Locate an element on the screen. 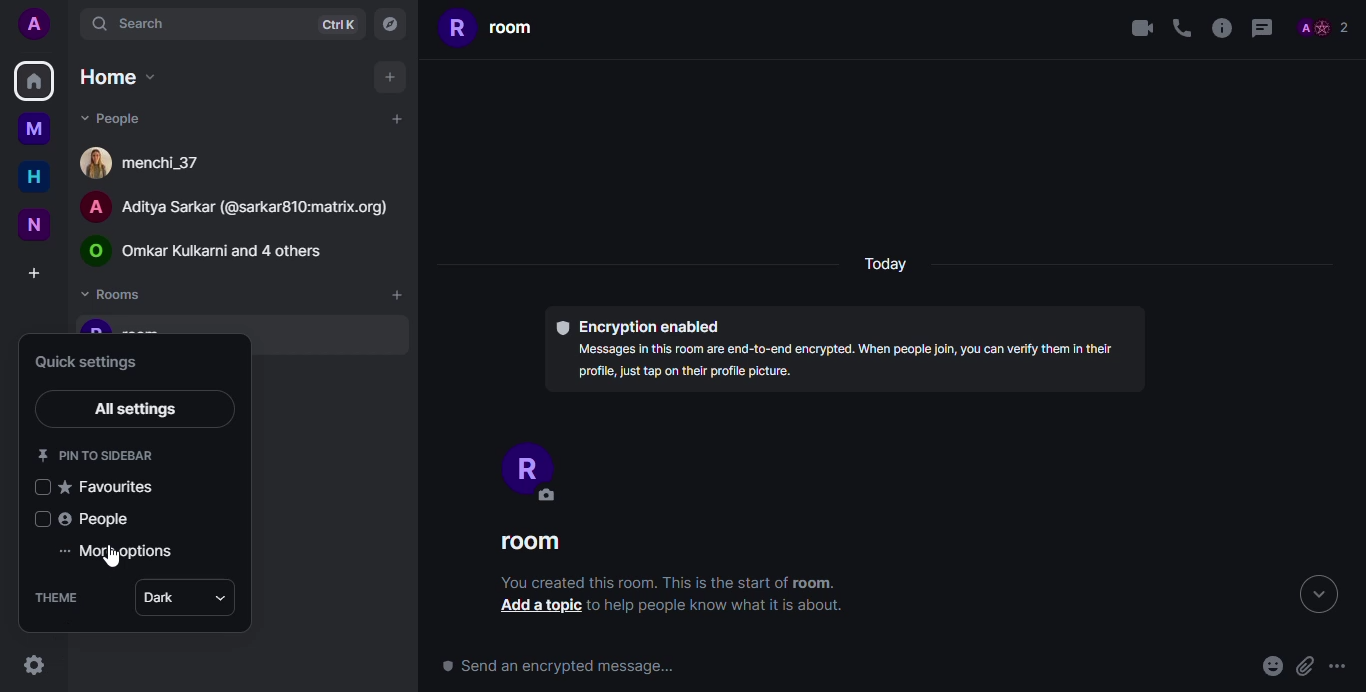 This screenshot has height=692, width=1366. send message is located at coordinates (556, 666).